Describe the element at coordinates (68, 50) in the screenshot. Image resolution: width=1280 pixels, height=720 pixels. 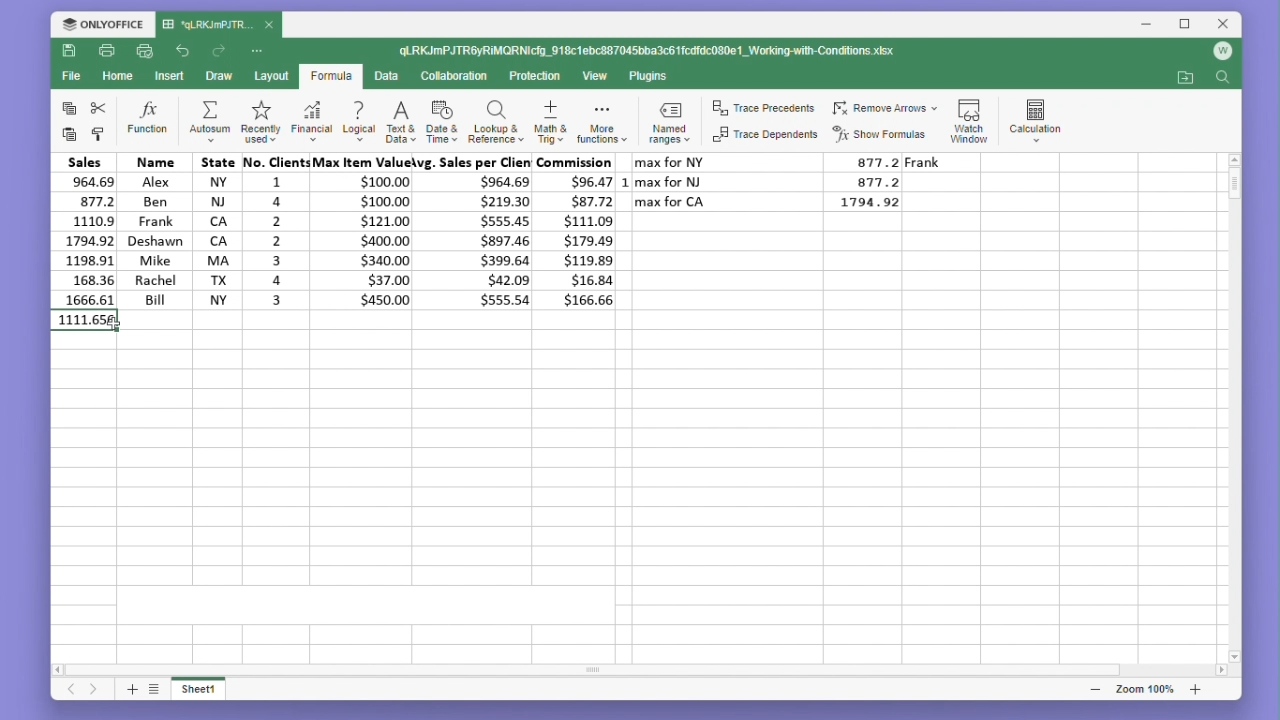
I see `Save ` at that location.